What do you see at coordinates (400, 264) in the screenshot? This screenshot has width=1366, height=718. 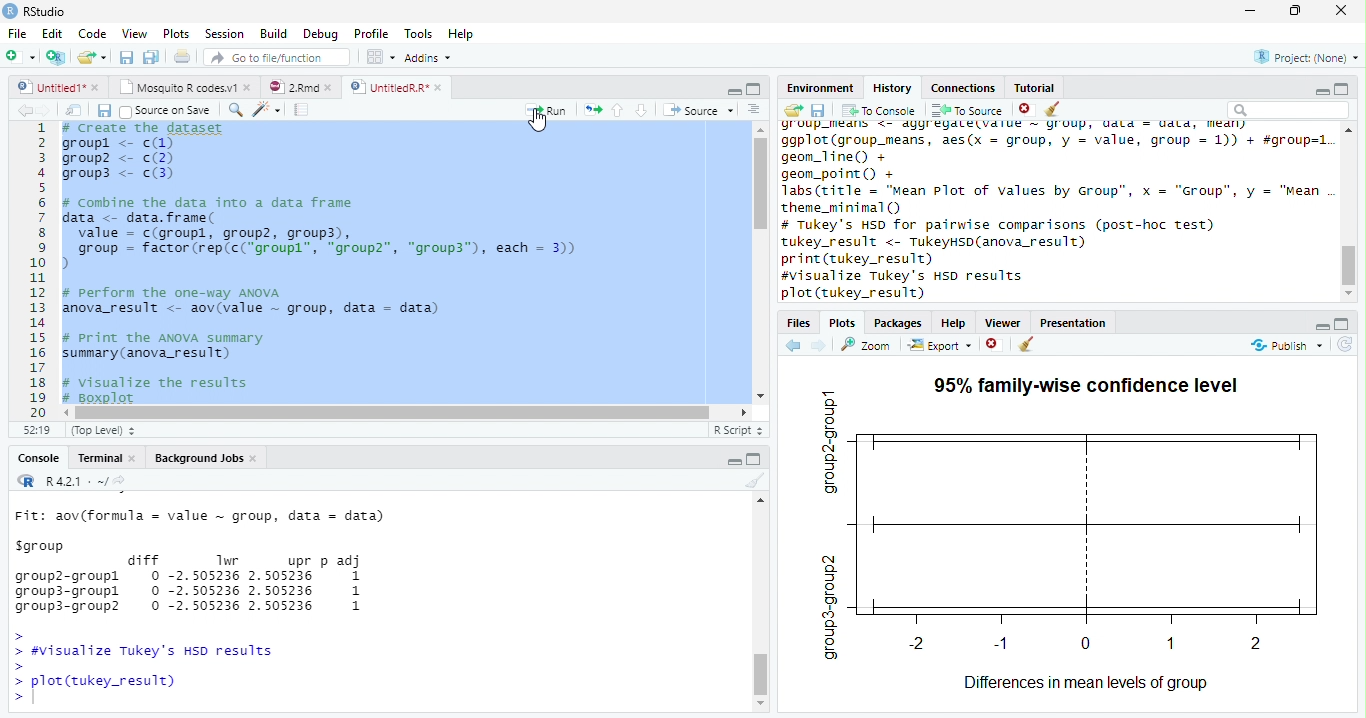 I see `geom boxplot() + Tabs(title = “soxplot of values by Group”, x = “Group”, y = “"value") +theme_minimal ()# mean plot with ggplot2group_means <- aggregate(value ~ group, data = data, mean)ggplot(group_means, aes(x = group, y = value, group = 1)) + #group=1 needed for line pgeon_line() +geon_point() +Tabs(title = “Mean Plot of values by Group”, x = “Group”, y = “Mean value") +theme_minimal ()# Tukey's Hsp for pairwise comparisons (post-hoc test)tukey_result <- TukeyHsD(anova_result)print (tukey_result)#visualize Tukey's HSD results` at bounding box center [400, 264].